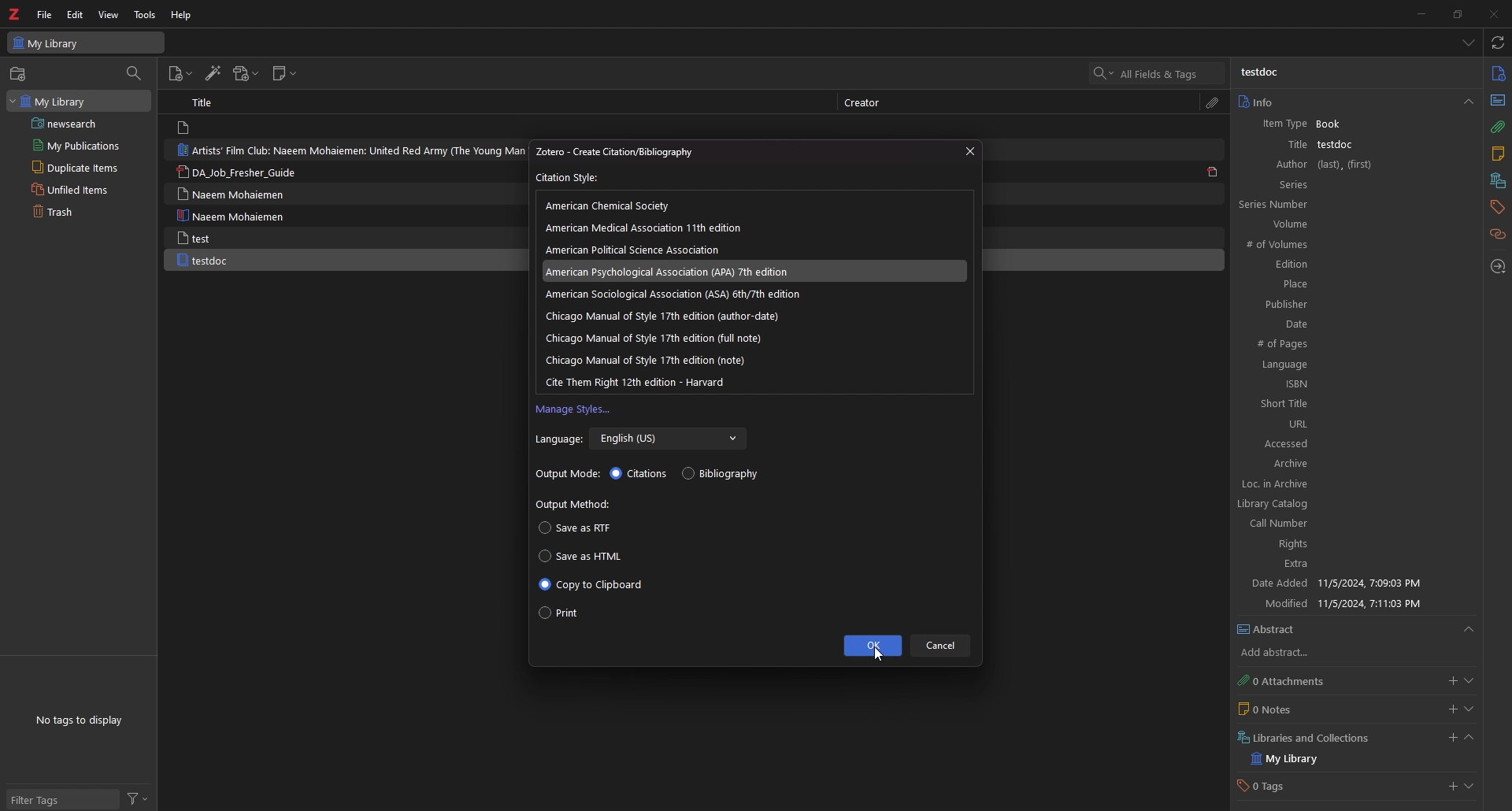 This screenshot has height=811, width=1512. What do you see at coordinates (876, 654) in the screenshot?
I see `cursor` at bounding box center [876, 654].